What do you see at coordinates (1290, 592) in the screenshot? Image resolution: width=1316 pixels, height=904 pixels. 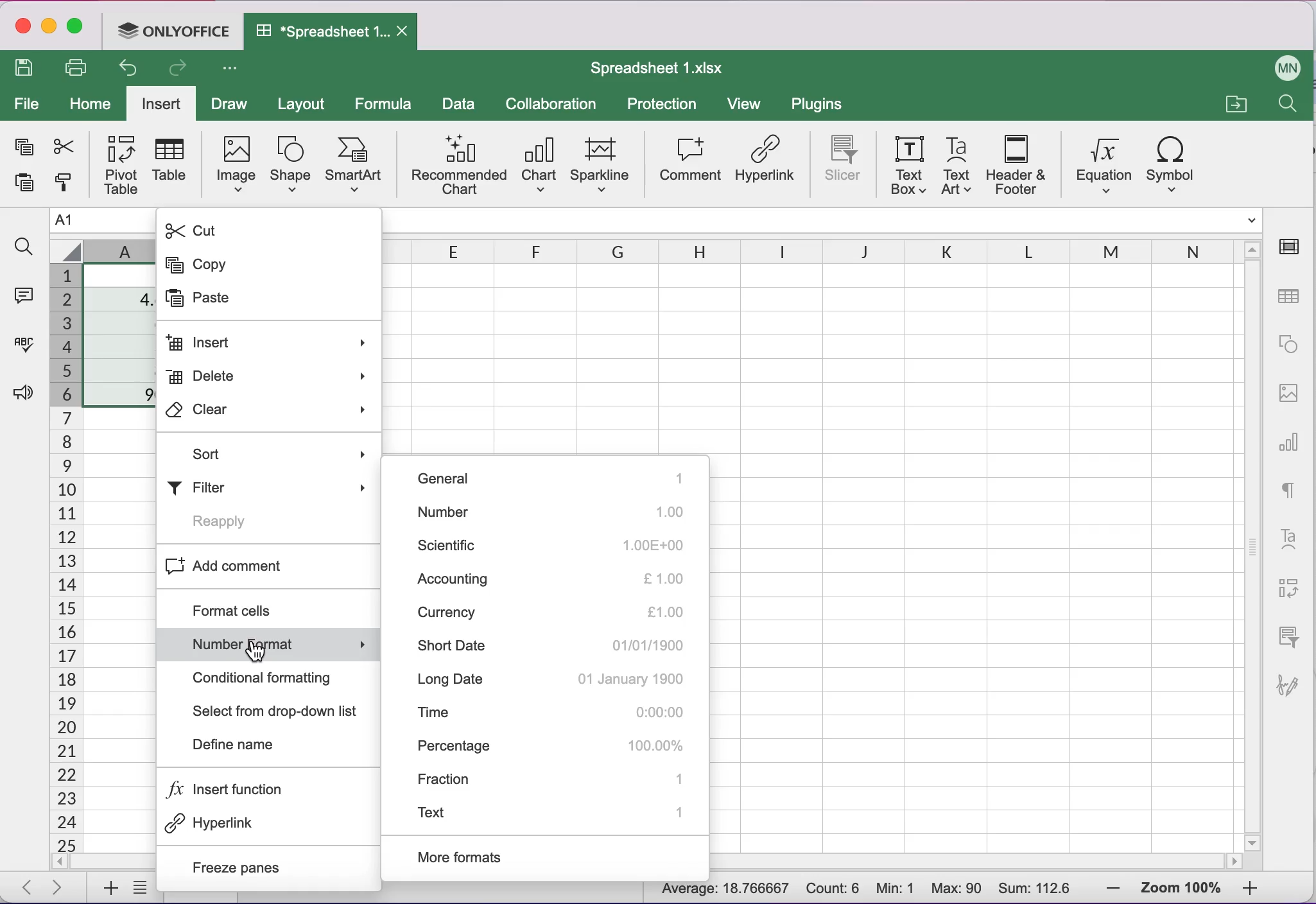 I see `pivot table` at bounding box center [1290, 592].